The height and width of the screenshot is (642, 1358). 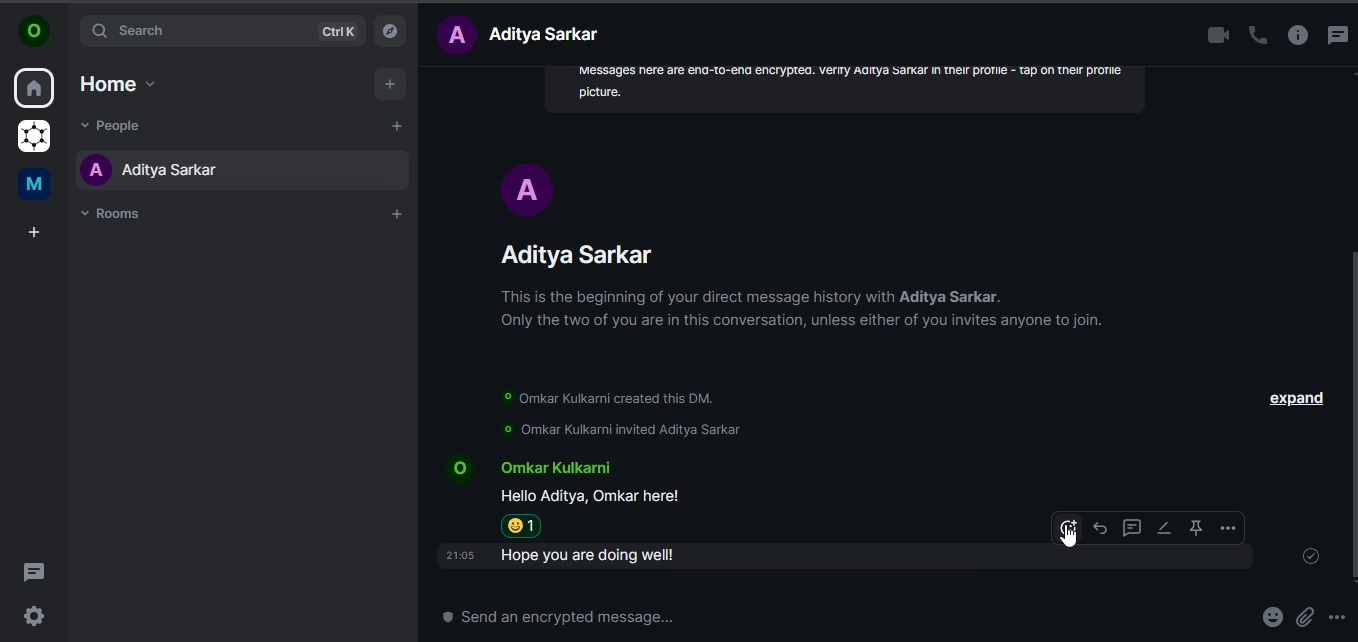 What do you see at coordinates (1296, 36) in the screenshot?
I see `room info` at bounding box center [1296, 36].